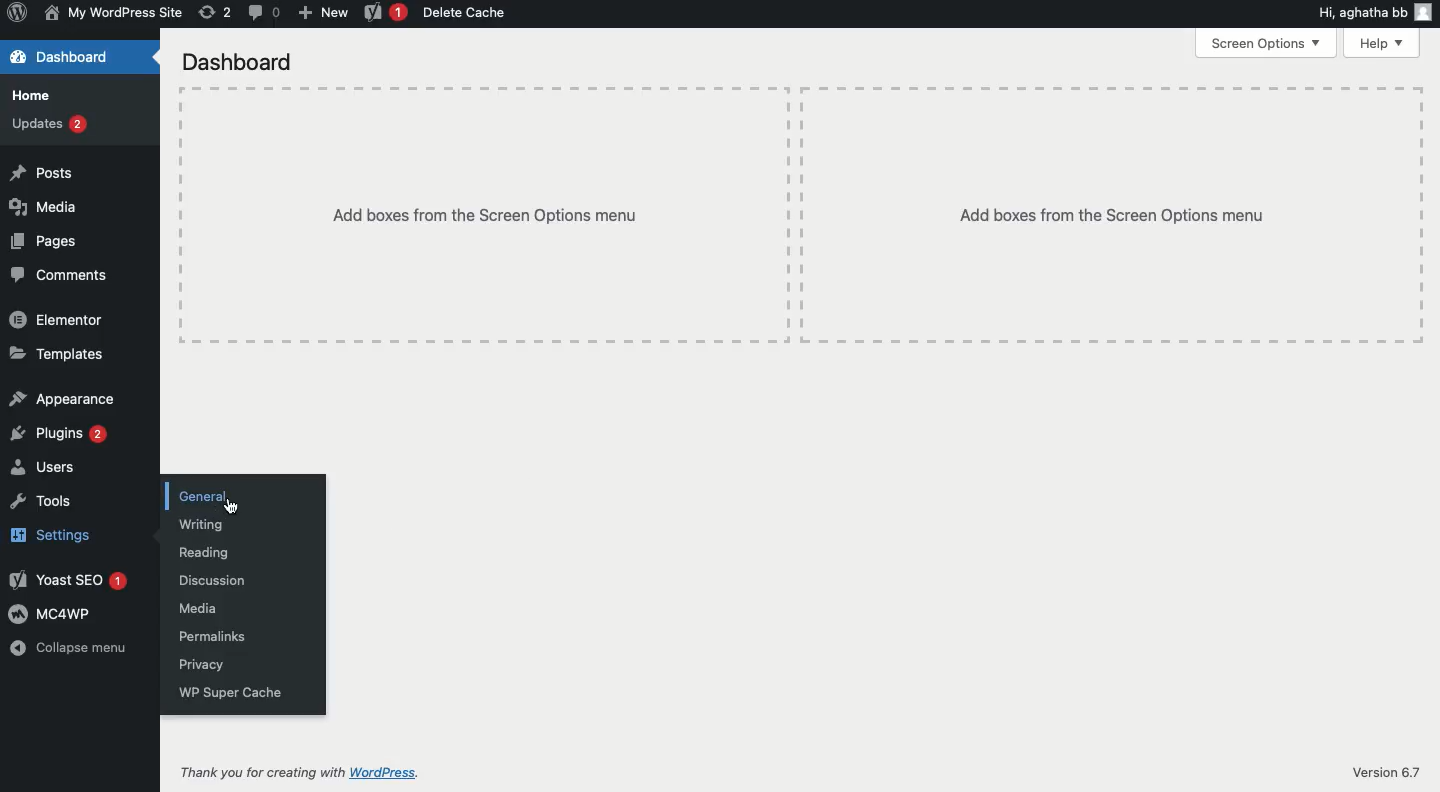 The width and height of the screenshot is (1440, 792). Describe the element at coordinates (66, 579) in the screenshot. I see `Yoast` at that location.